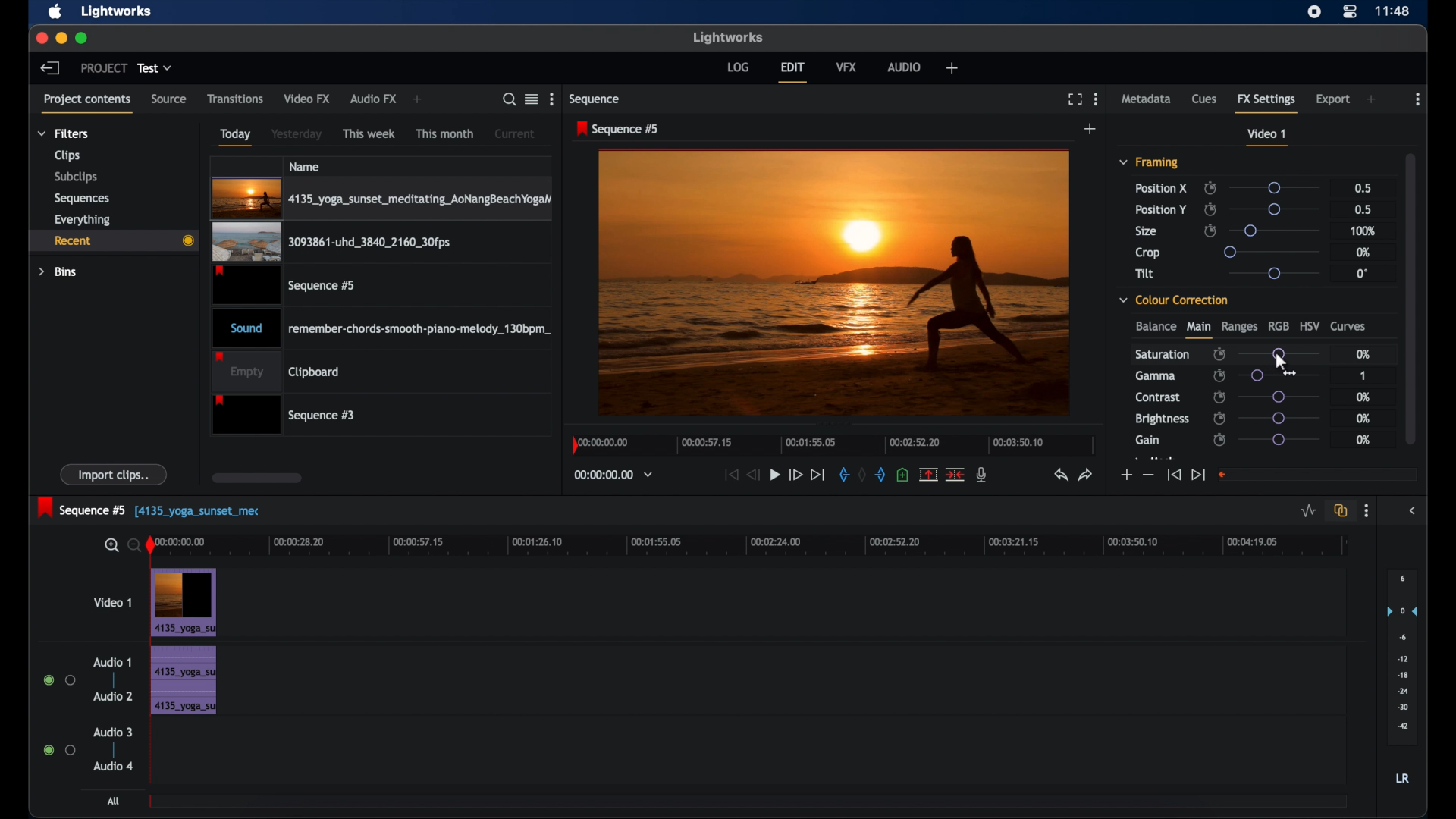  Describe the element at coordinates (156, 68) in the screenshot. I see `test` at that location.